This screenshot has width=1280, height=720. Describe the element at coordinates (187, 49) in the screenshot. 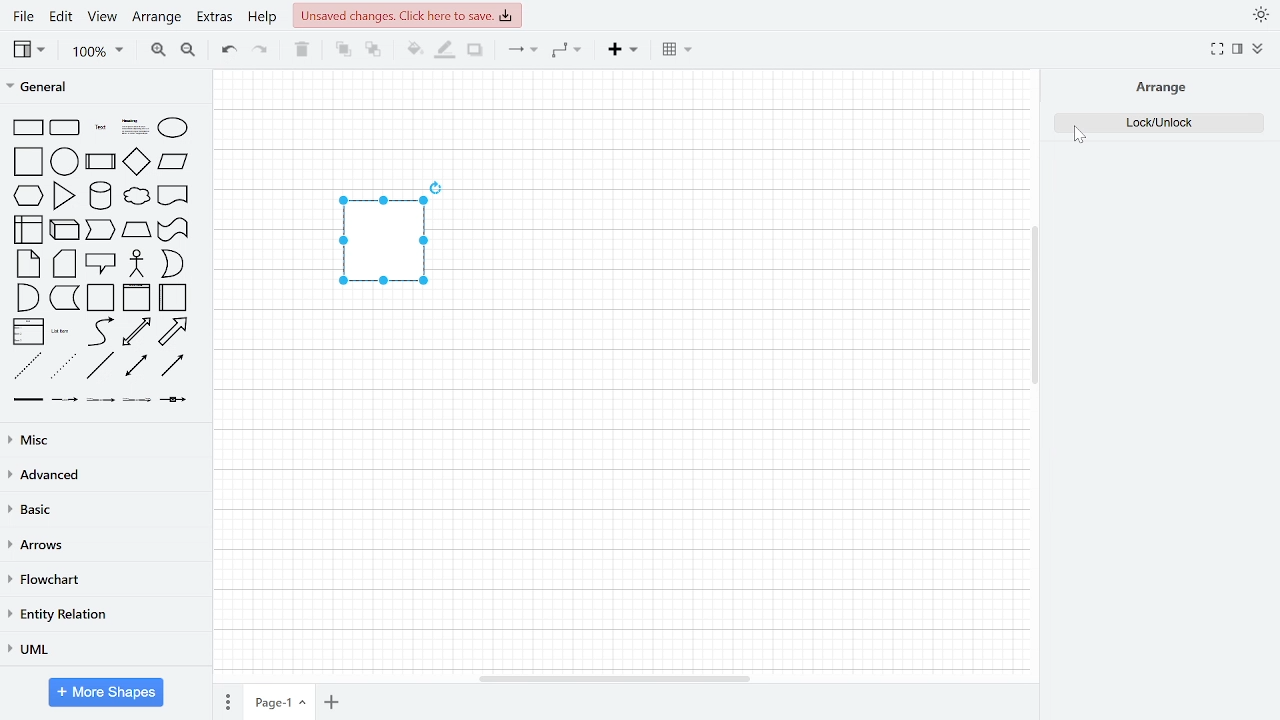

I see `zoom out` at that location.